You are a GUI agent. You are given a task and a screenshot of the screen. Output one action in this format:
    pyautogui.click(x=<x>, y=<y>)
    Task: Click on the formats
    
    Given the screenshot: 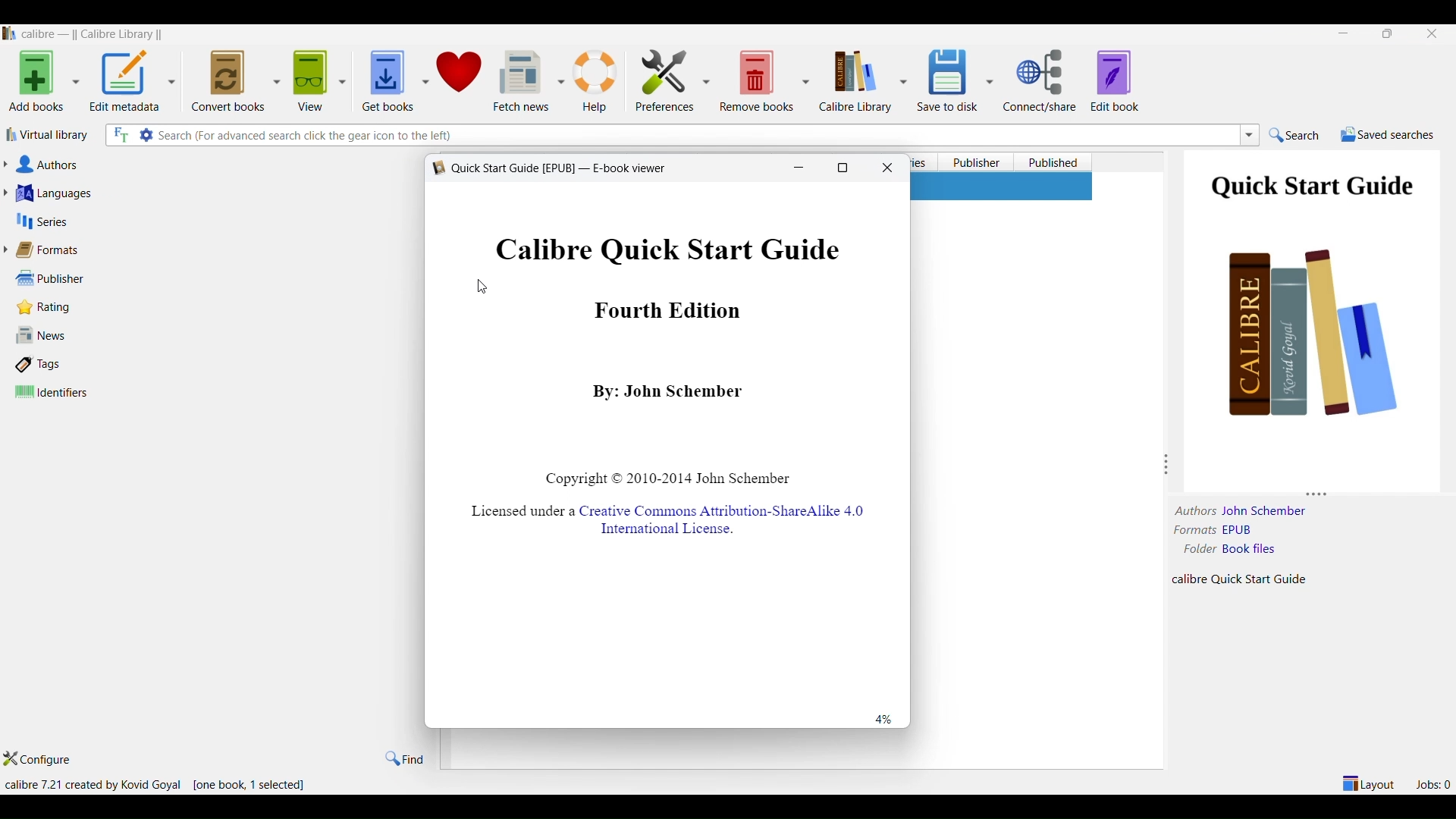 What is the action you would take?
    pyautogui.click(x=207, y=249)
    